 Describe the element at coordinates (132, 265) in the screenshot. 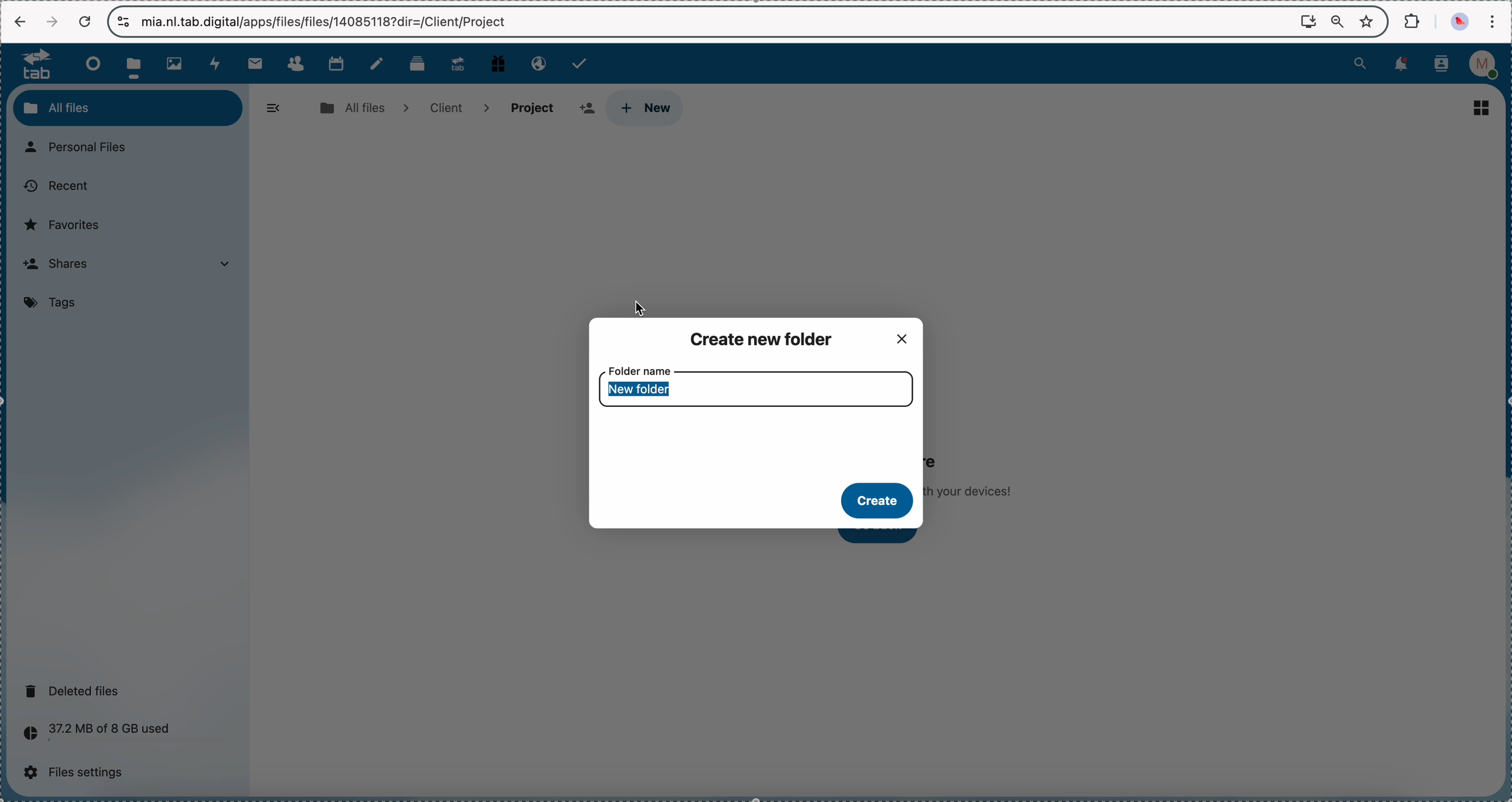

I see `shares` at that location.